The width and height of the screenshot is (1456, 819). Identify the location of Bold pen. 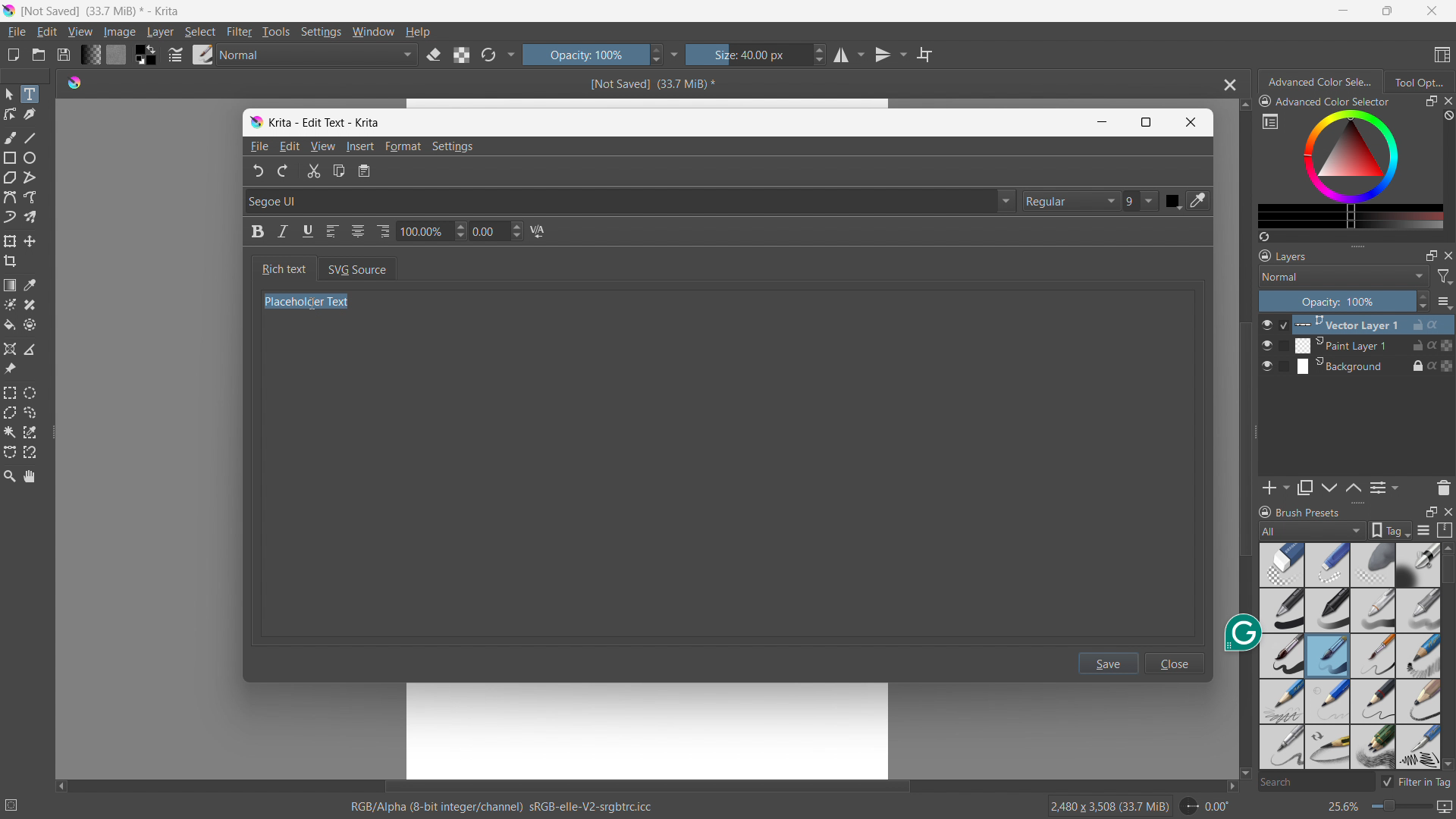
(1417, 565).